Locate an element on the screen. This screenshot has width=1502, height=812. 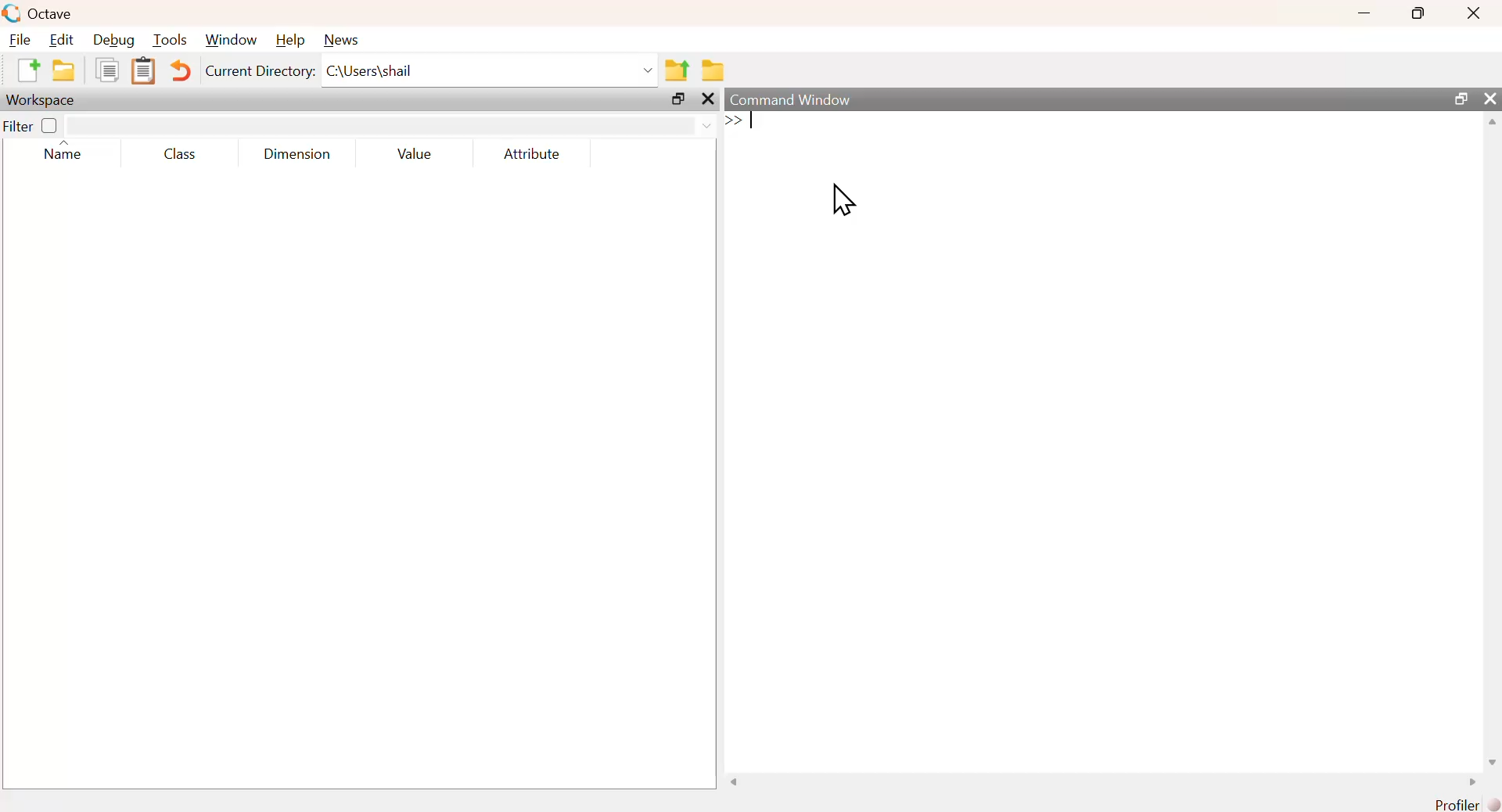
octave is located at coordinates (40, 13).